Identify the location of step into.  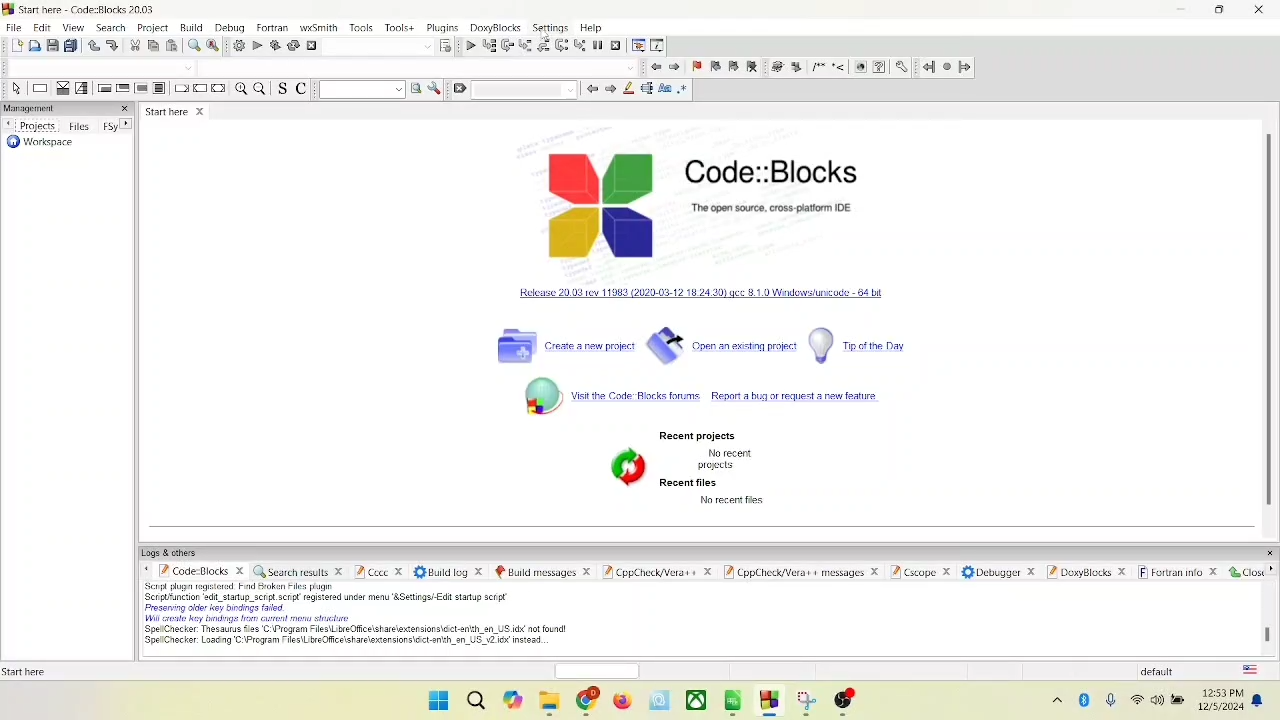
(522, 45).